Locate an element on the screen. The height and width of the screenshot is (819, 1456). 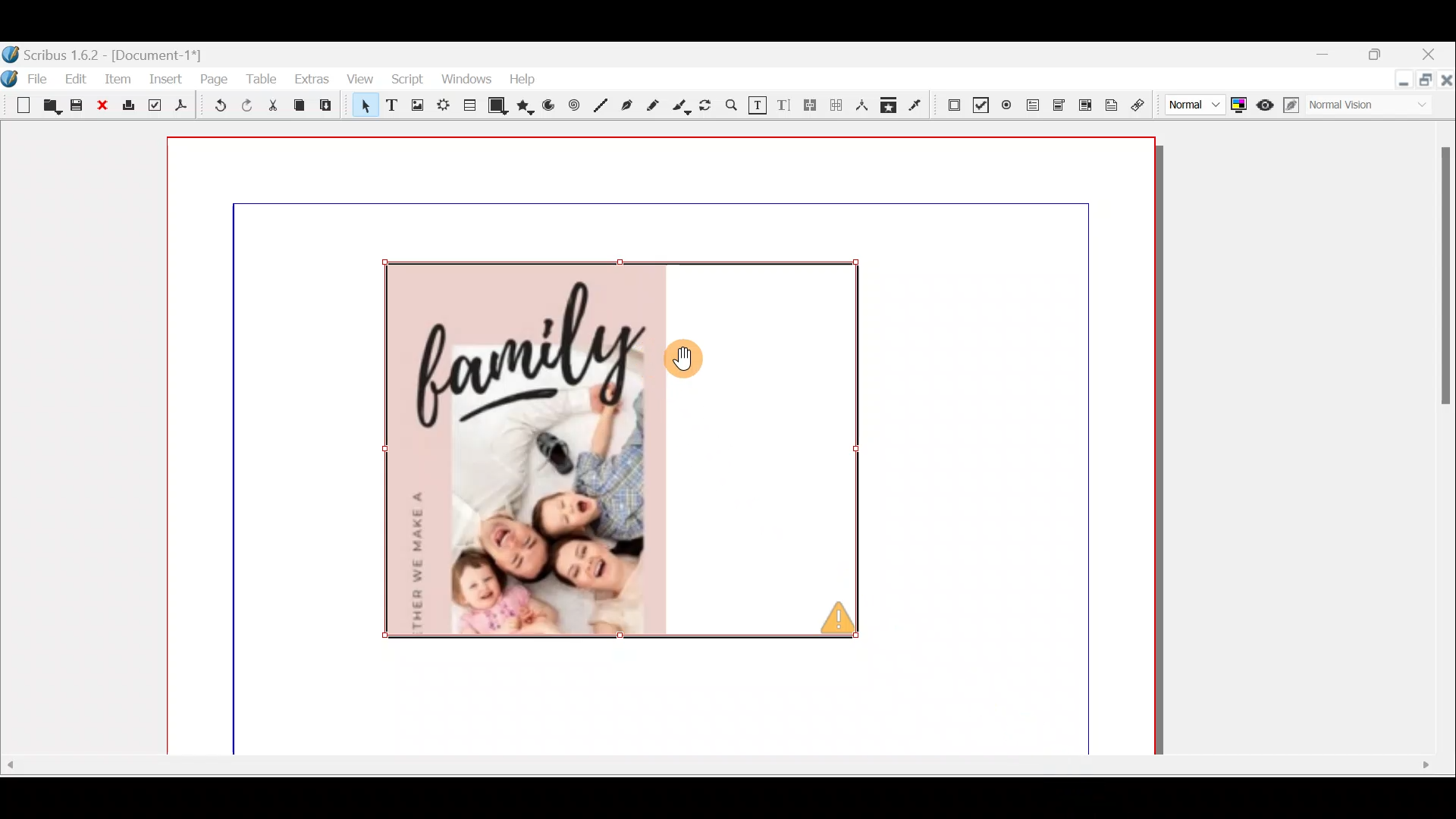
Logo is located at coordinates (11, 77).